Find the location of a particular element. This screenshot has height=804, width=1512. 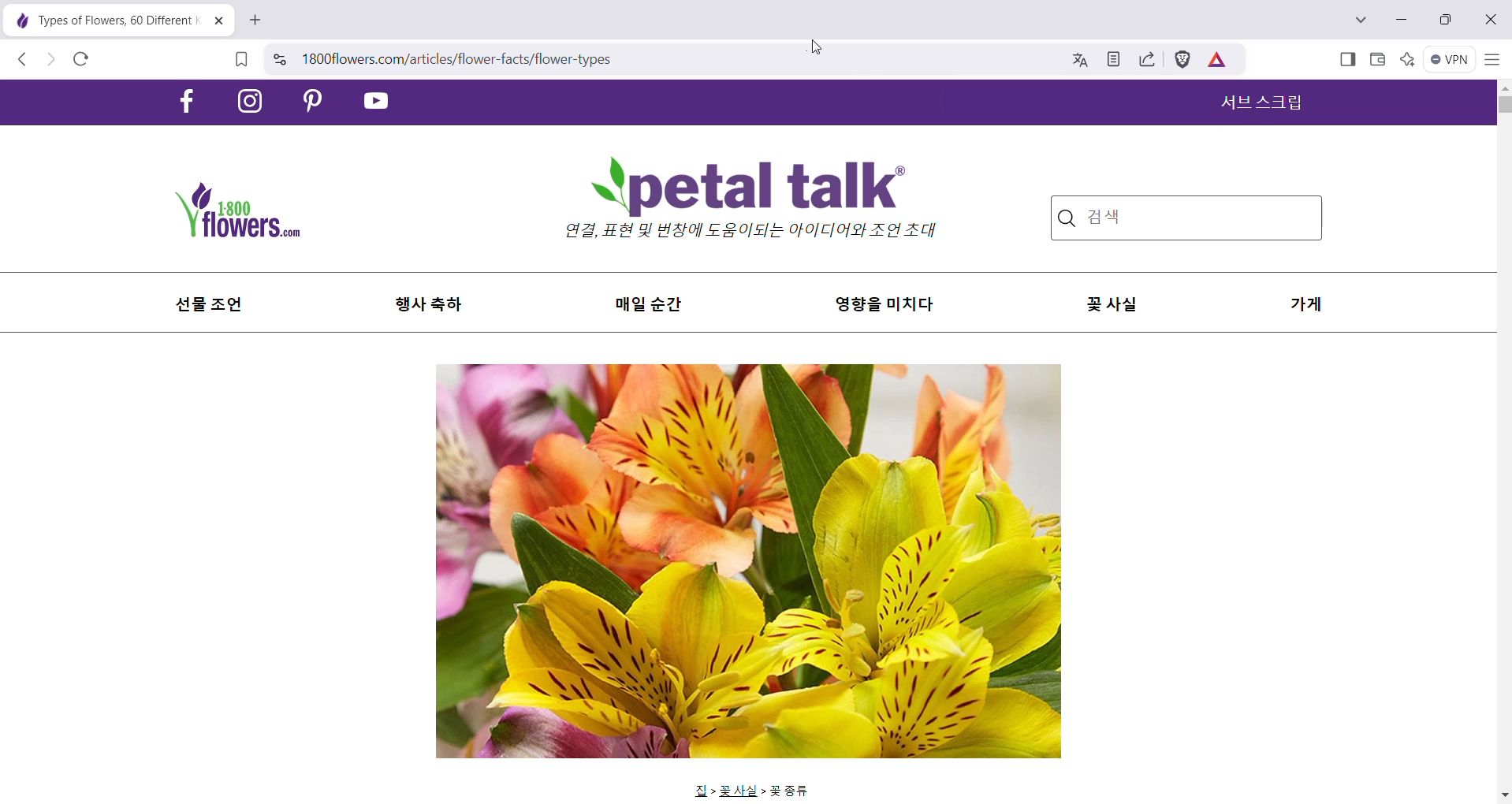

Current webpage tab is located at coordinates (99, 20).